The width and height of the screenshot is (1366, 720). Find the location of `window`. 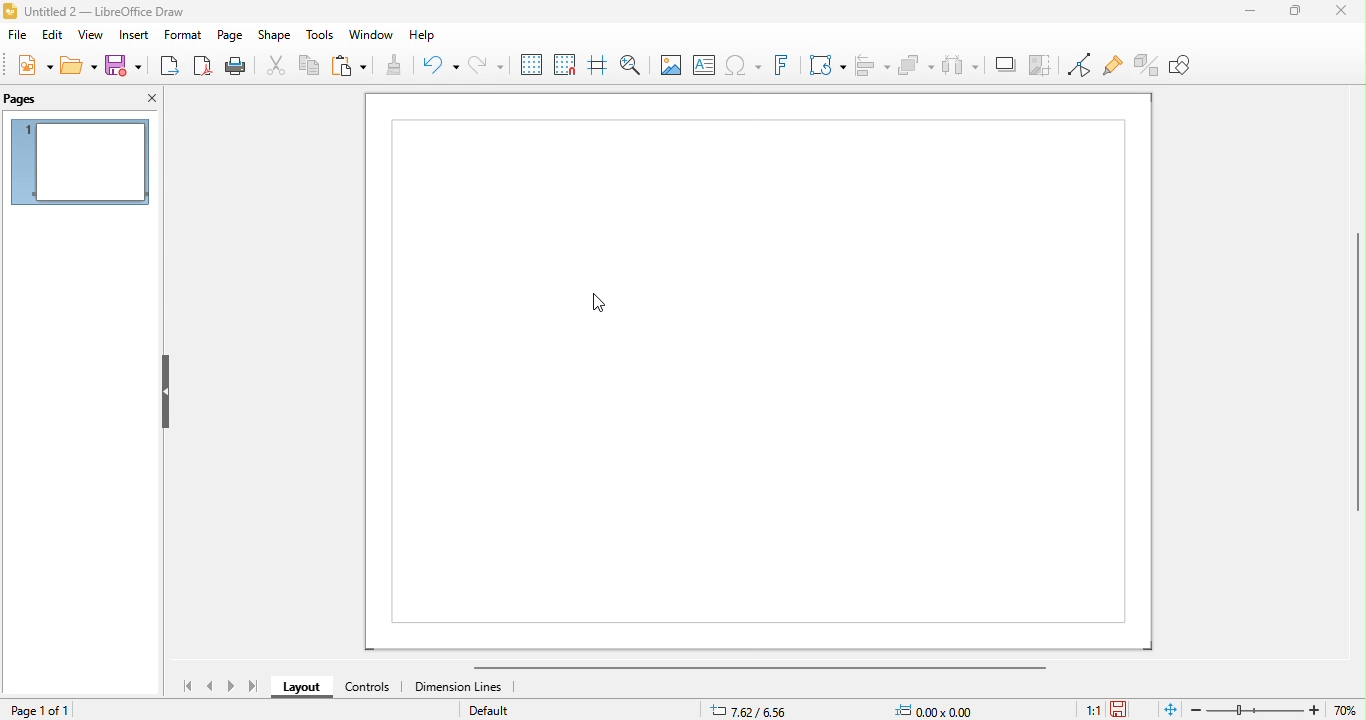

window is located at coordinates (372, 35).